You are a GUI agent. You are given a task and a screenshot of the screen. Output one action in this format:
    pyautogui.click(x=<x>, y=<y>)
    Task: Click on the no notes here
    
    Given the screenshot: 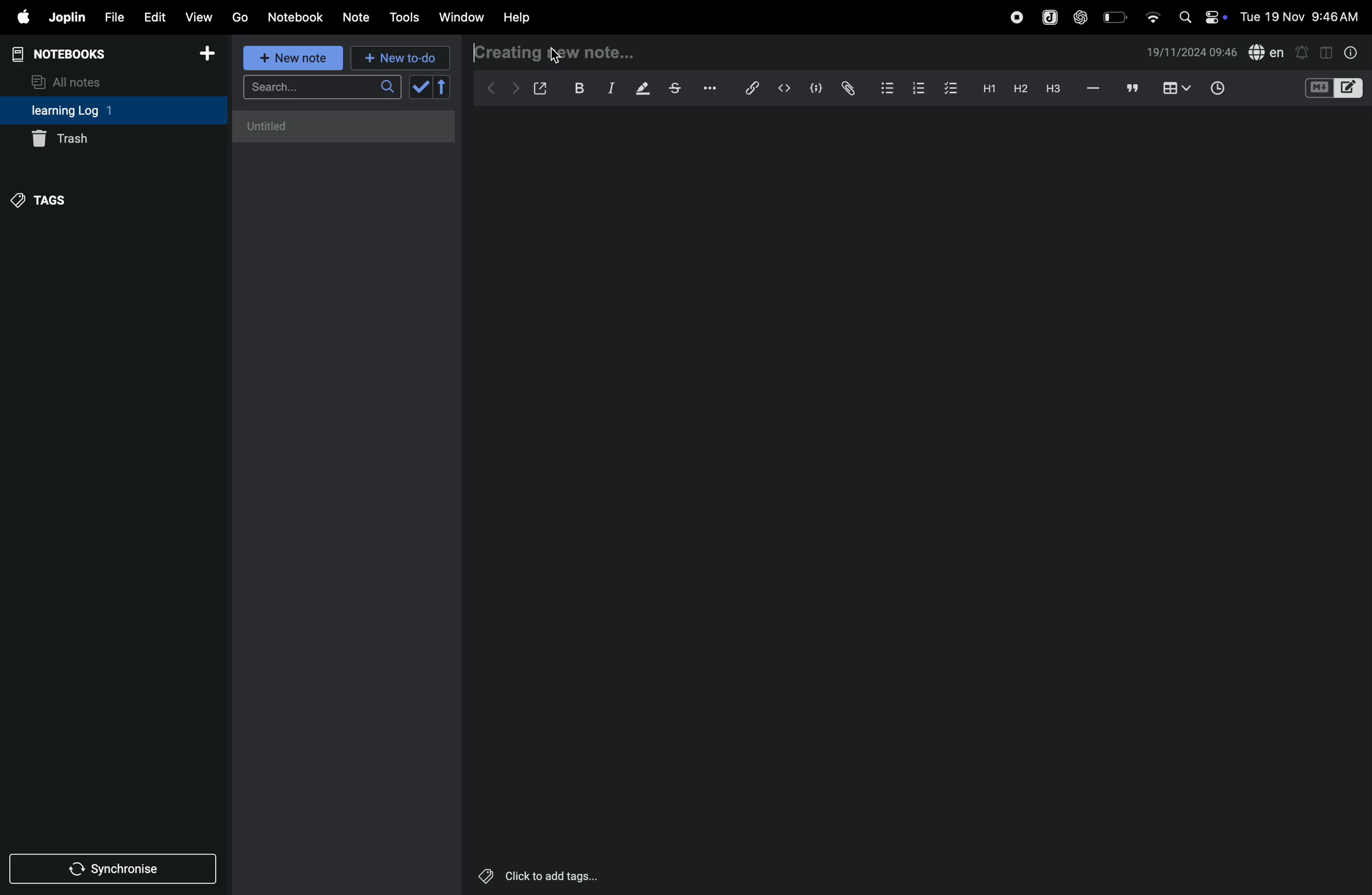 What is the action you would take?
    pyautogui.click(x=340, y=130)
    